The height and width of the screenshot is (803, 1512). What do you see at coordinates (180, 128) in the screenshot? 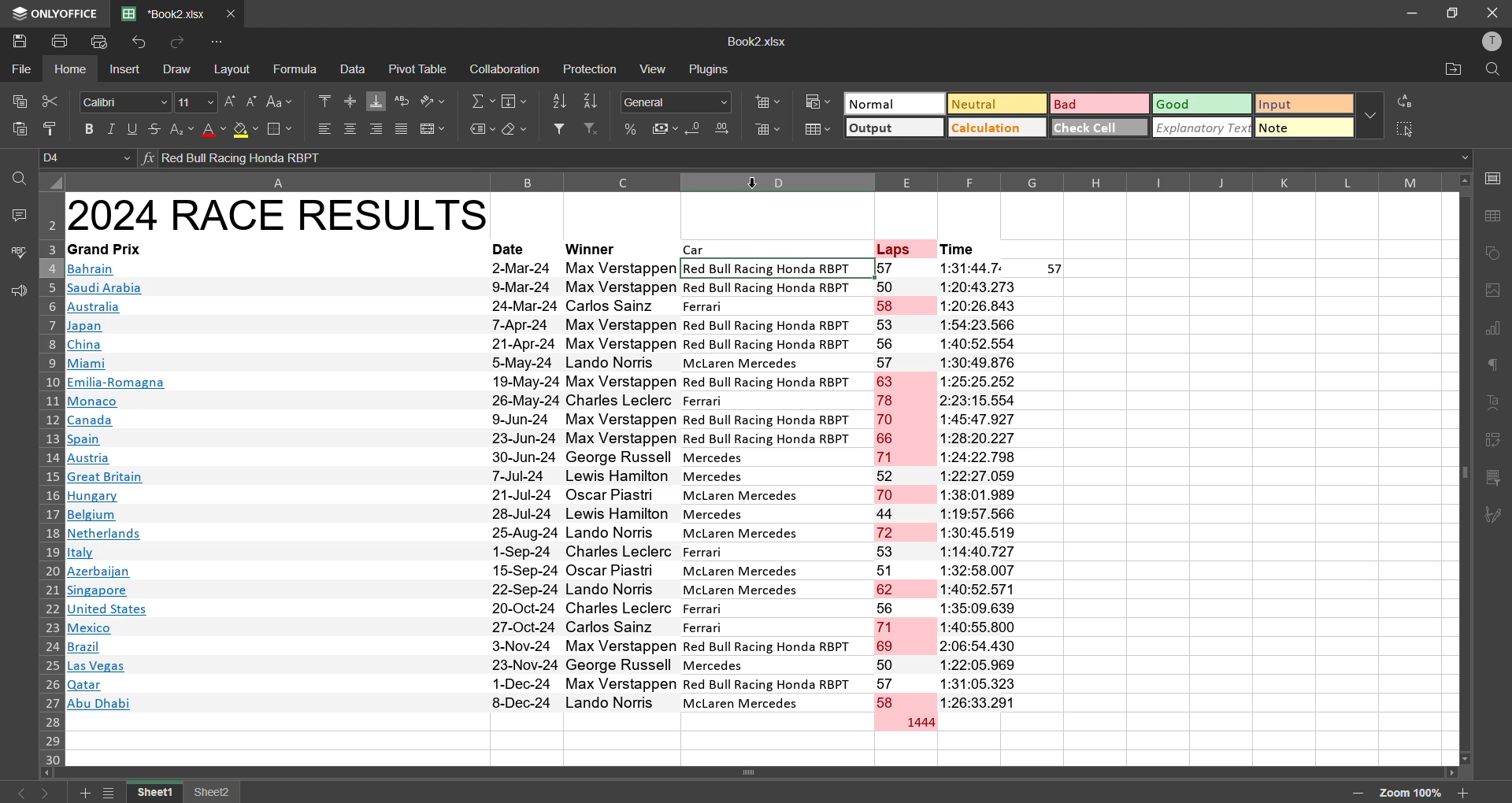
I see `sub/superscript` at bounding box center [180, 128].